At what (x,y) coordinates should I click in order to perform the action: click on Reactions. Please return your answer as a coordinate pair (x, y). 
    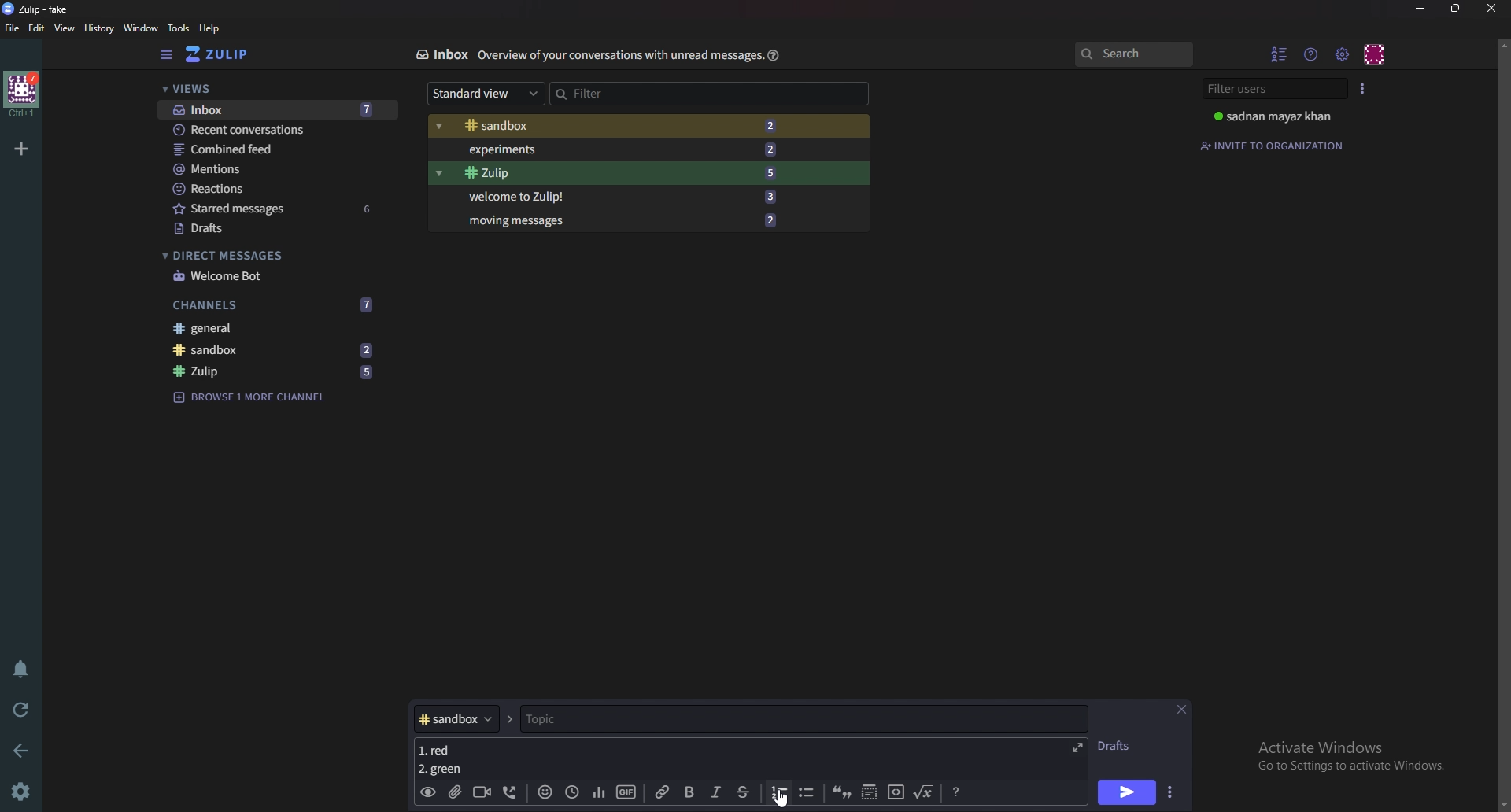
    Looking at the image, I should click on (273, 187).